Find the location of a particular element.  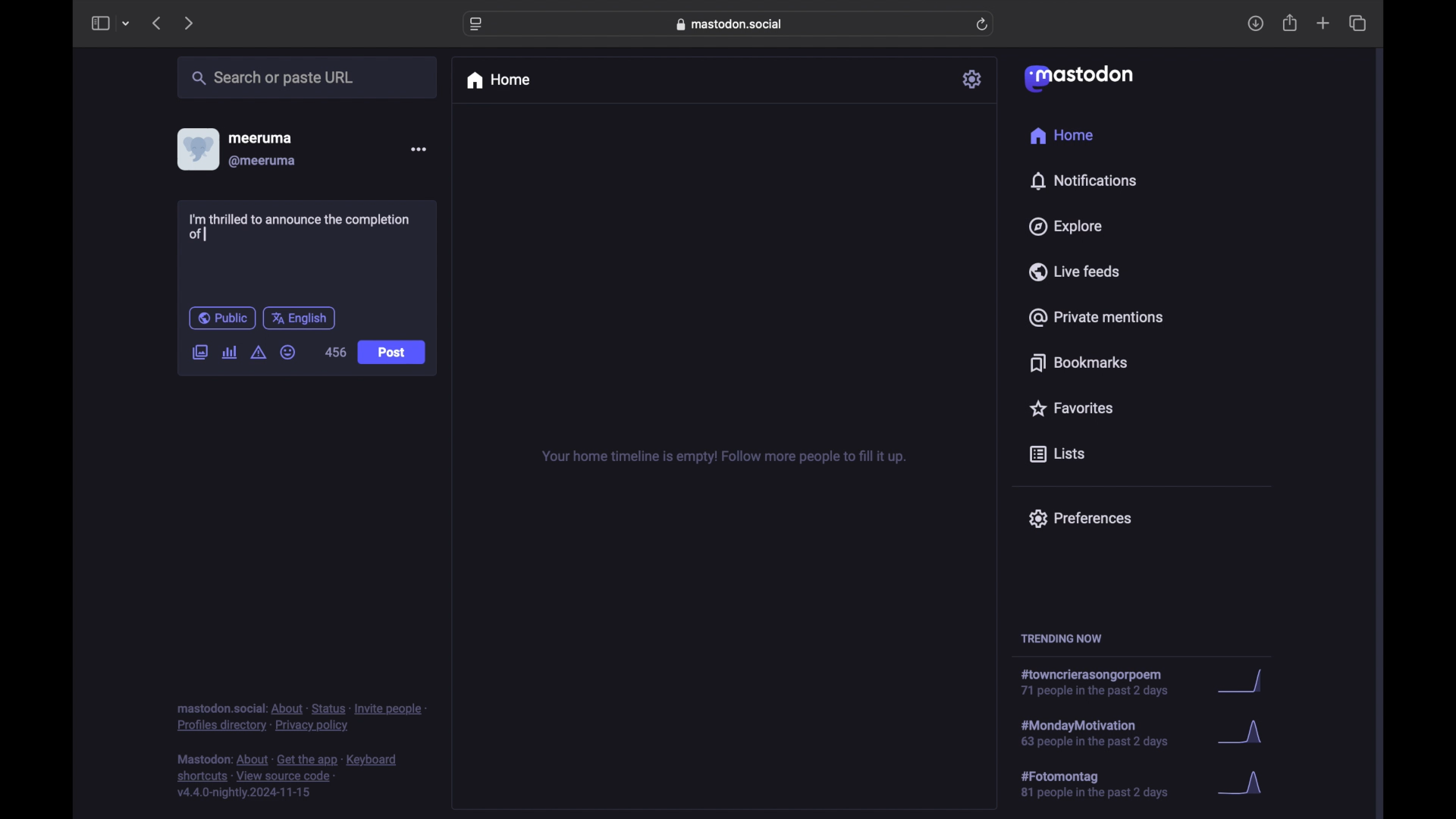

new tab overview is located at coordinates (1323, 23).